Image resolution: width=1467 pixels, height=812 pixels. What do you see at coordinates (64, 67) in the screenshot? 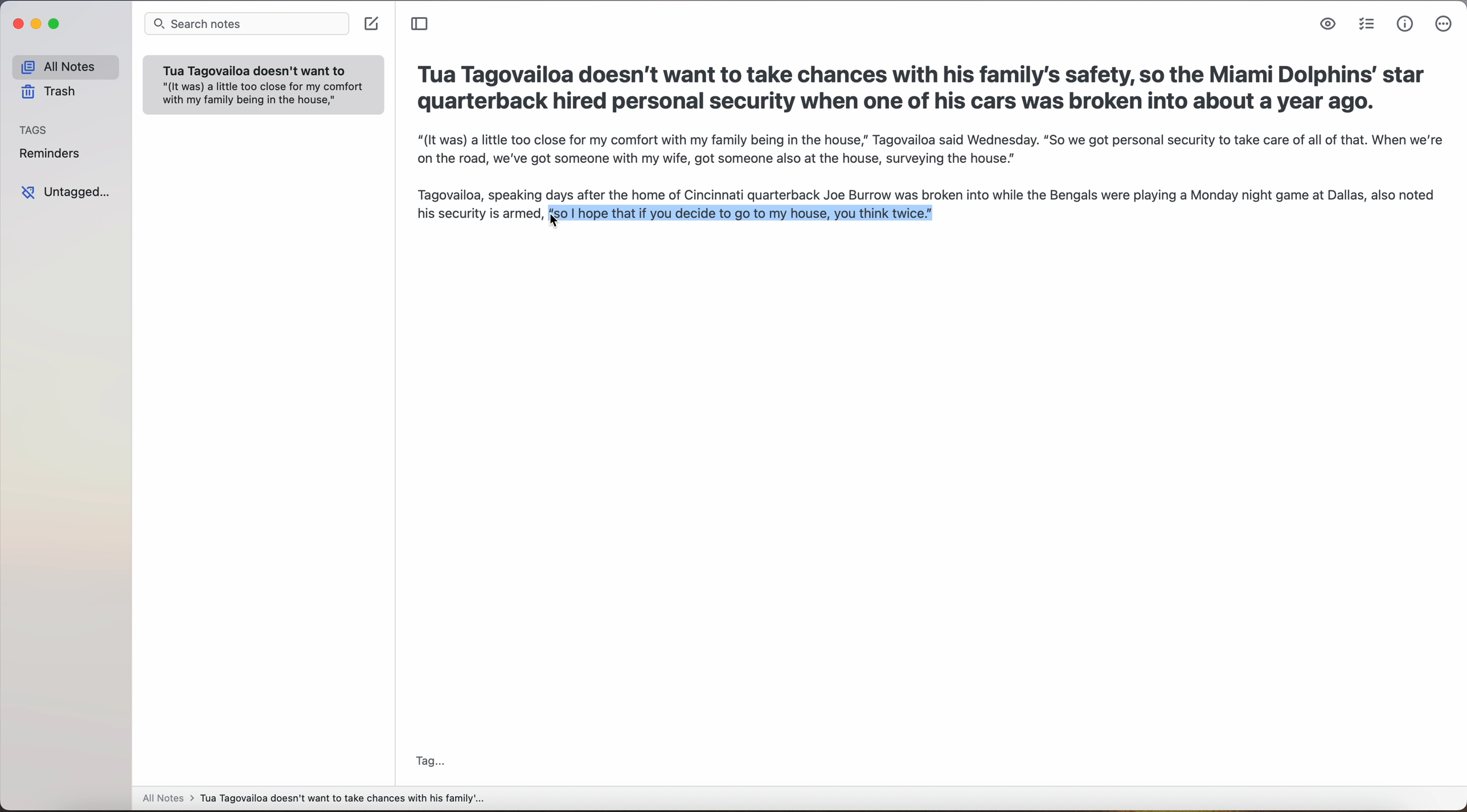
I see `all notes` at bounding box center [64, 67].